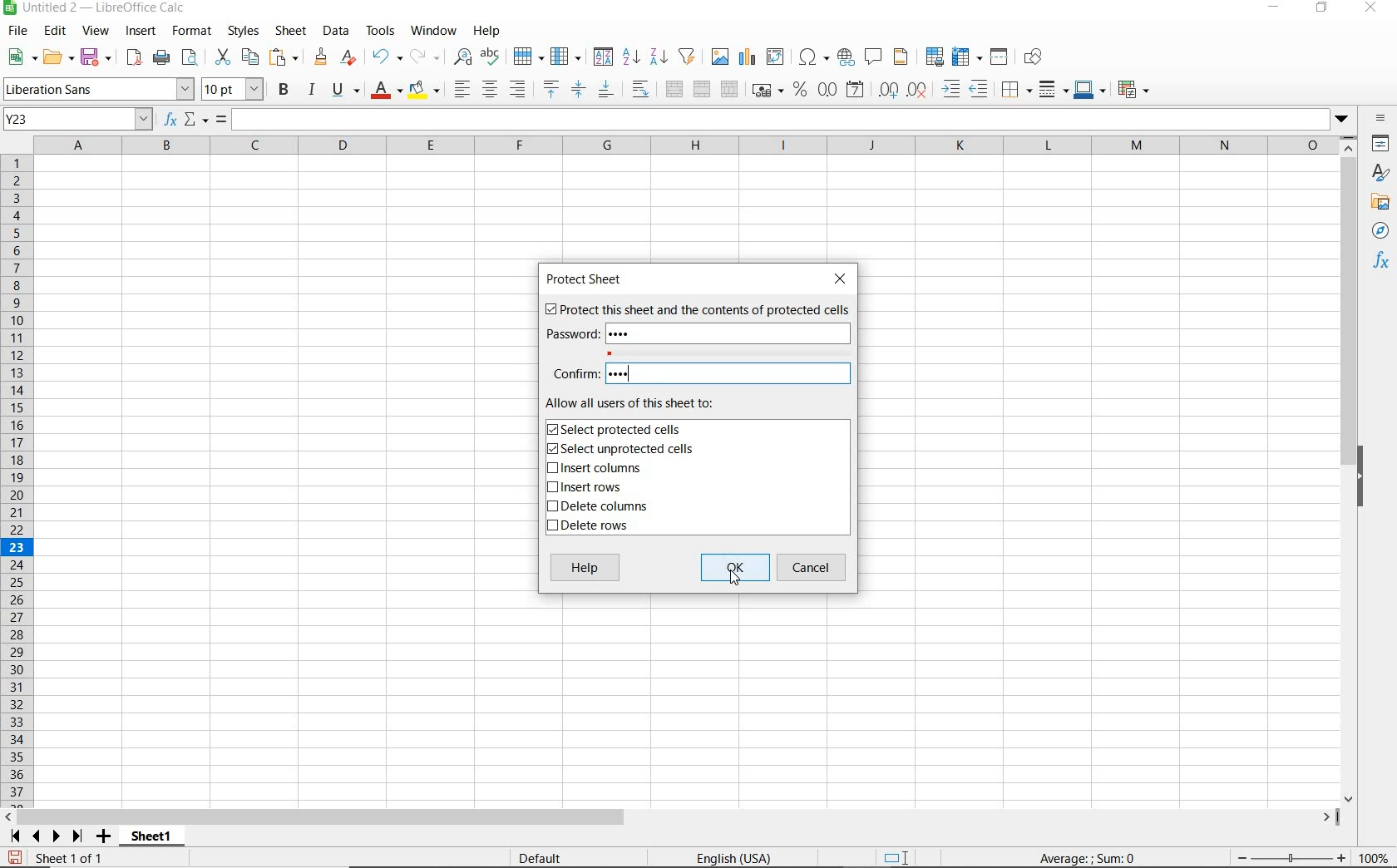 The image size is (1397, 868). What do you see at coordinates (844, 279) in the screenshot?
I see `CLOSE` at bounding box center [844, 279].